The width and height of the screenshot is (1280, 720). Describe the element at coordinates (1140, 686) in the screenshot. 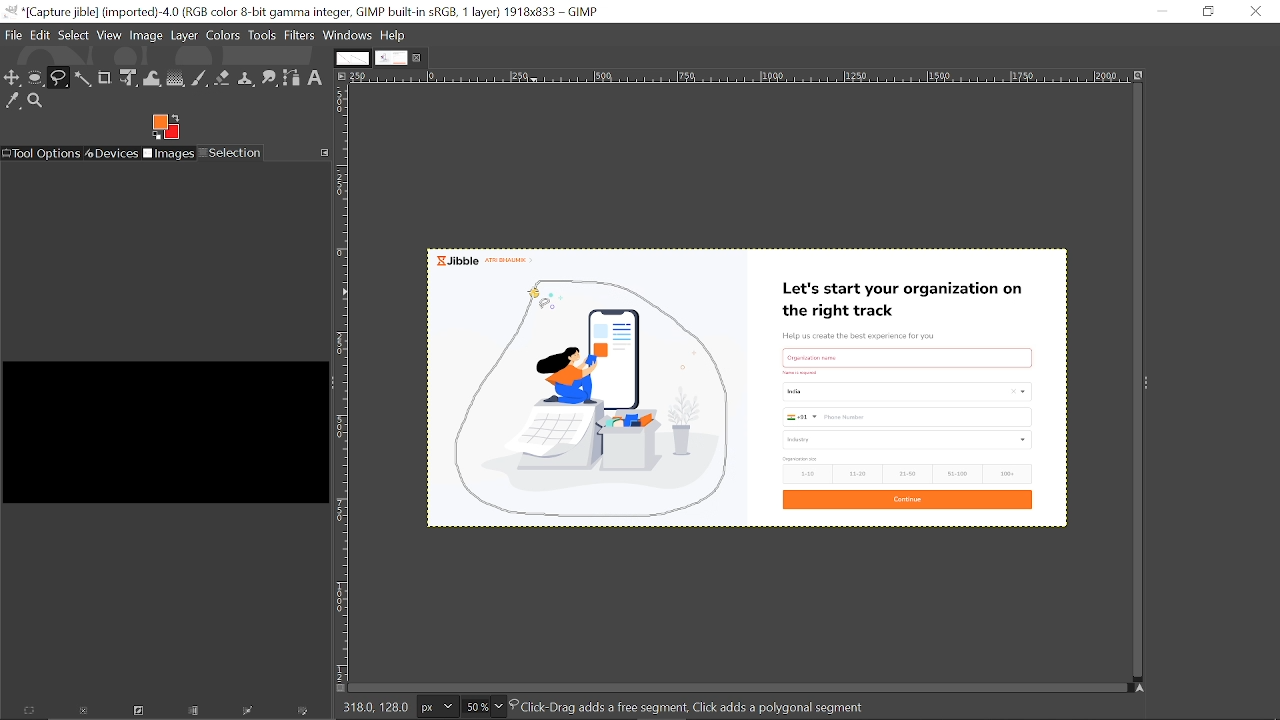

I see `Navigate this display` at that location.